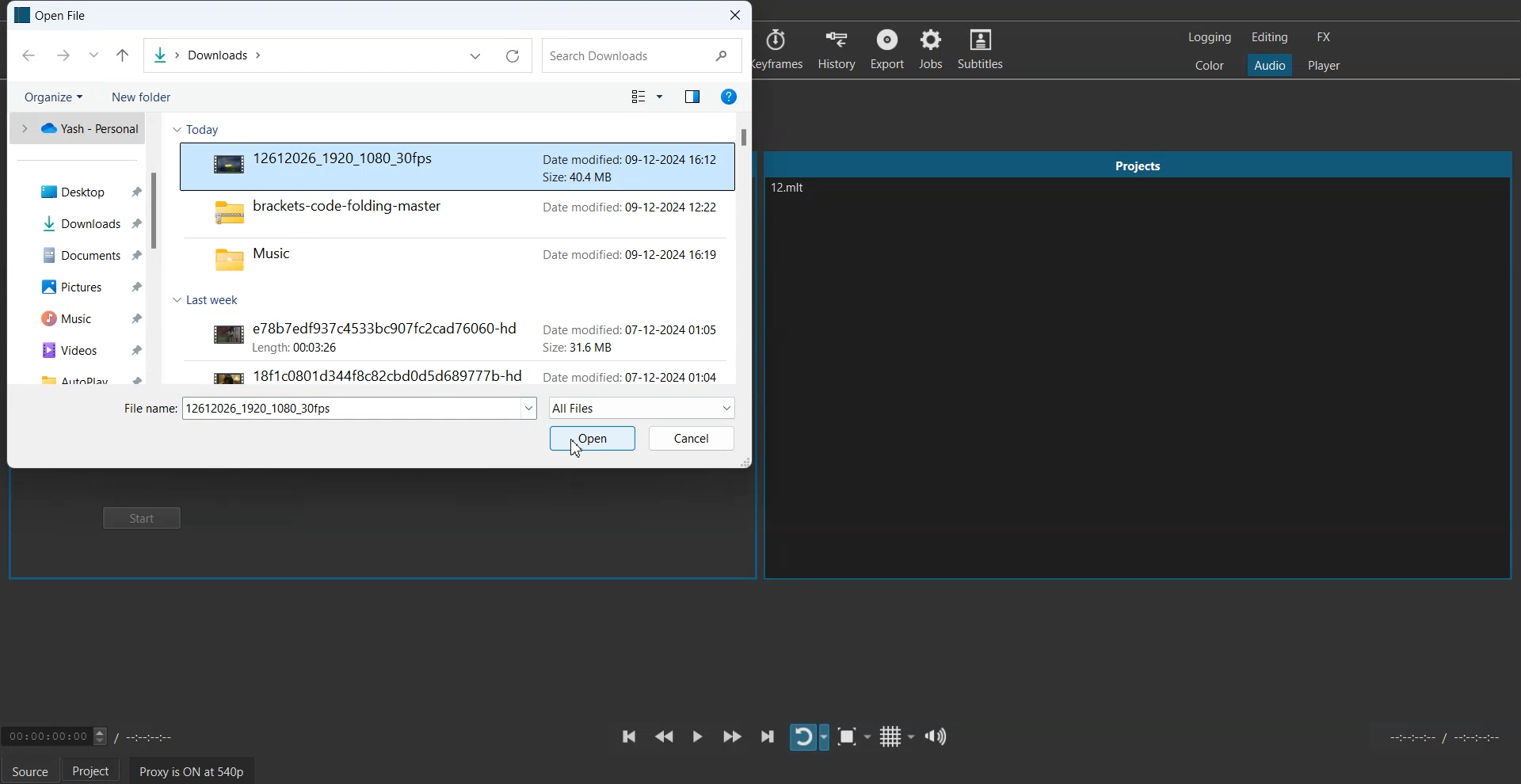  Describe the element at coordinates (698, 736) in the screenshot. I see `Toggle play or pause` at that location.